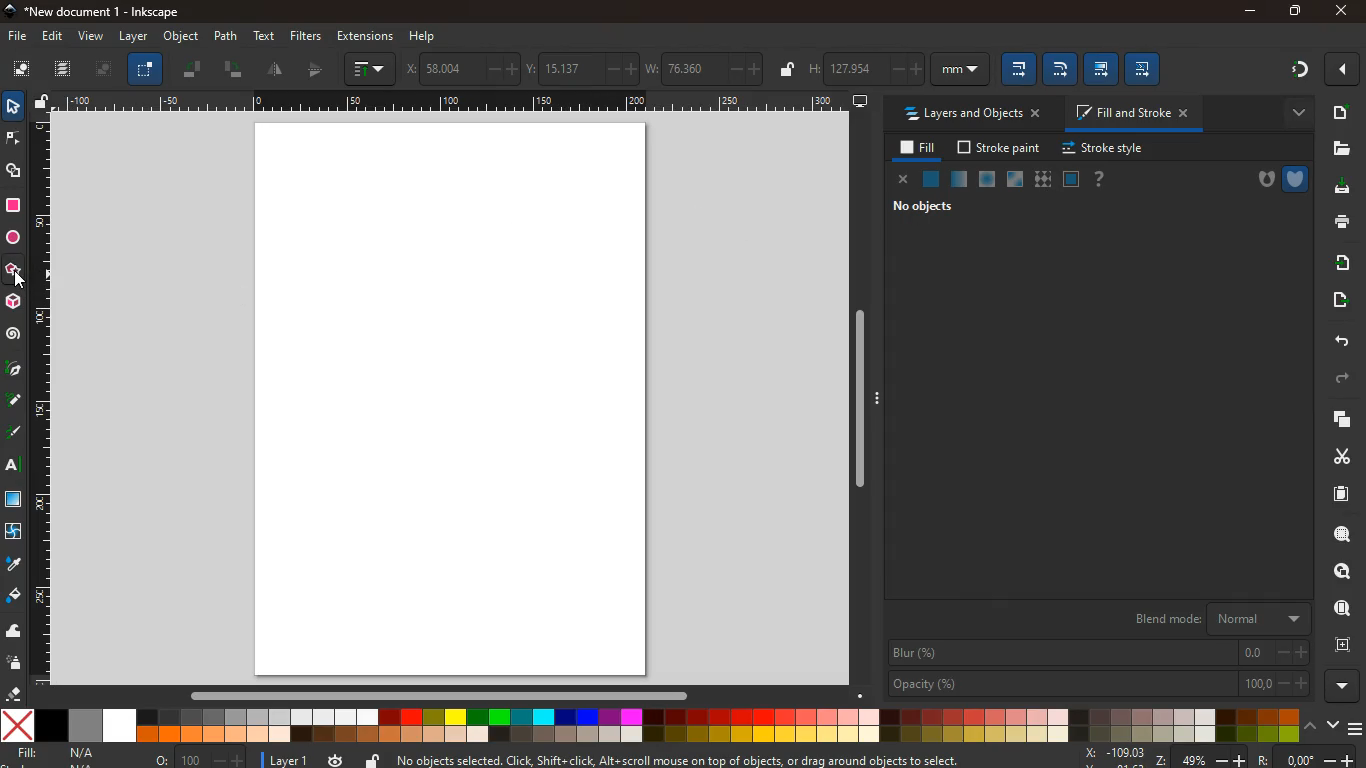 The width and height of the screenshot is (1366, 768). I want to click on Worksheet, so click(452, 400).